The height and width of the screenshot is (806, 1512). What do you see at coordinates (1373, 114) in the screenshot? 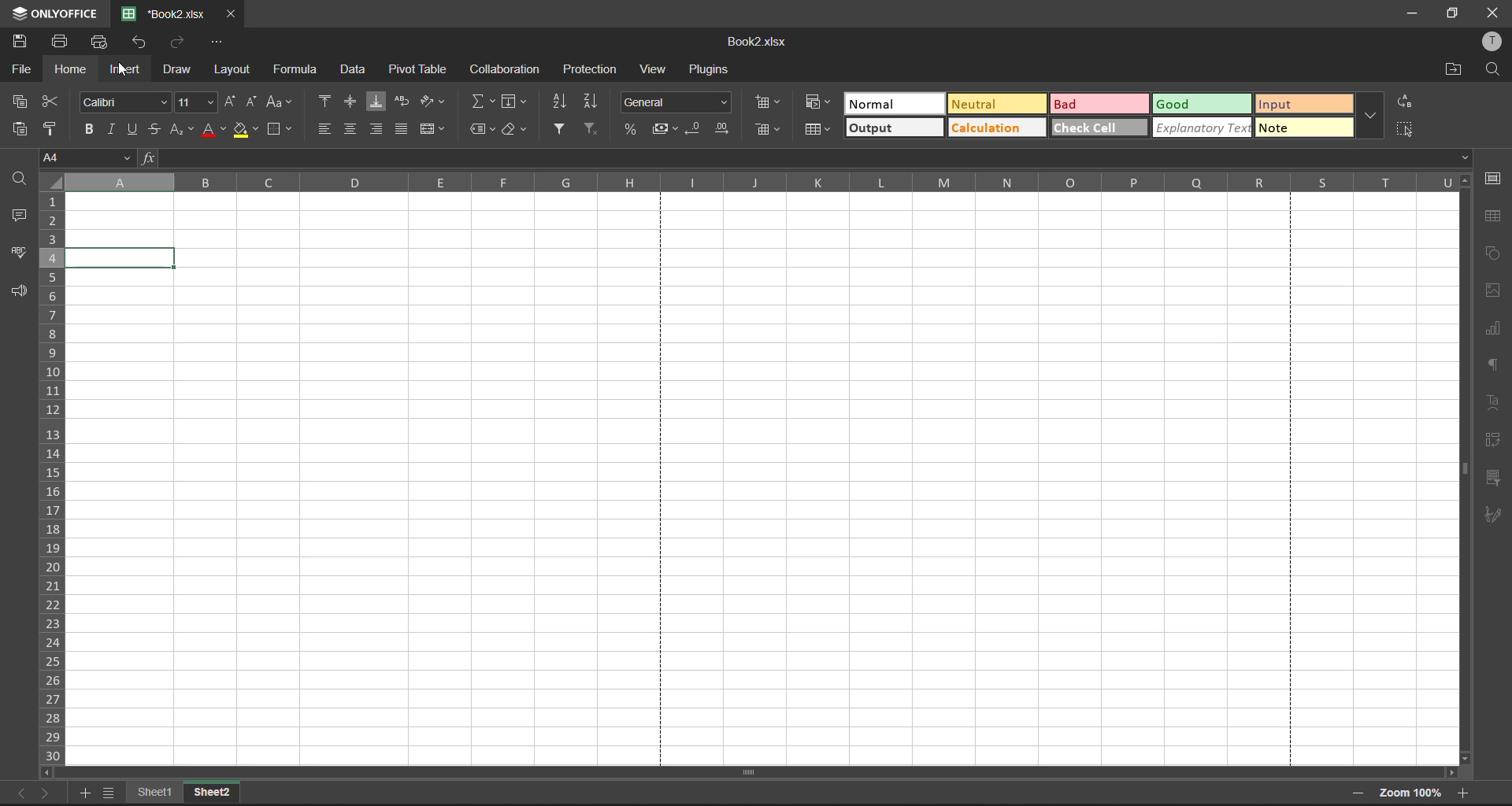
I see `more options` at bounding box center [1373, 114].